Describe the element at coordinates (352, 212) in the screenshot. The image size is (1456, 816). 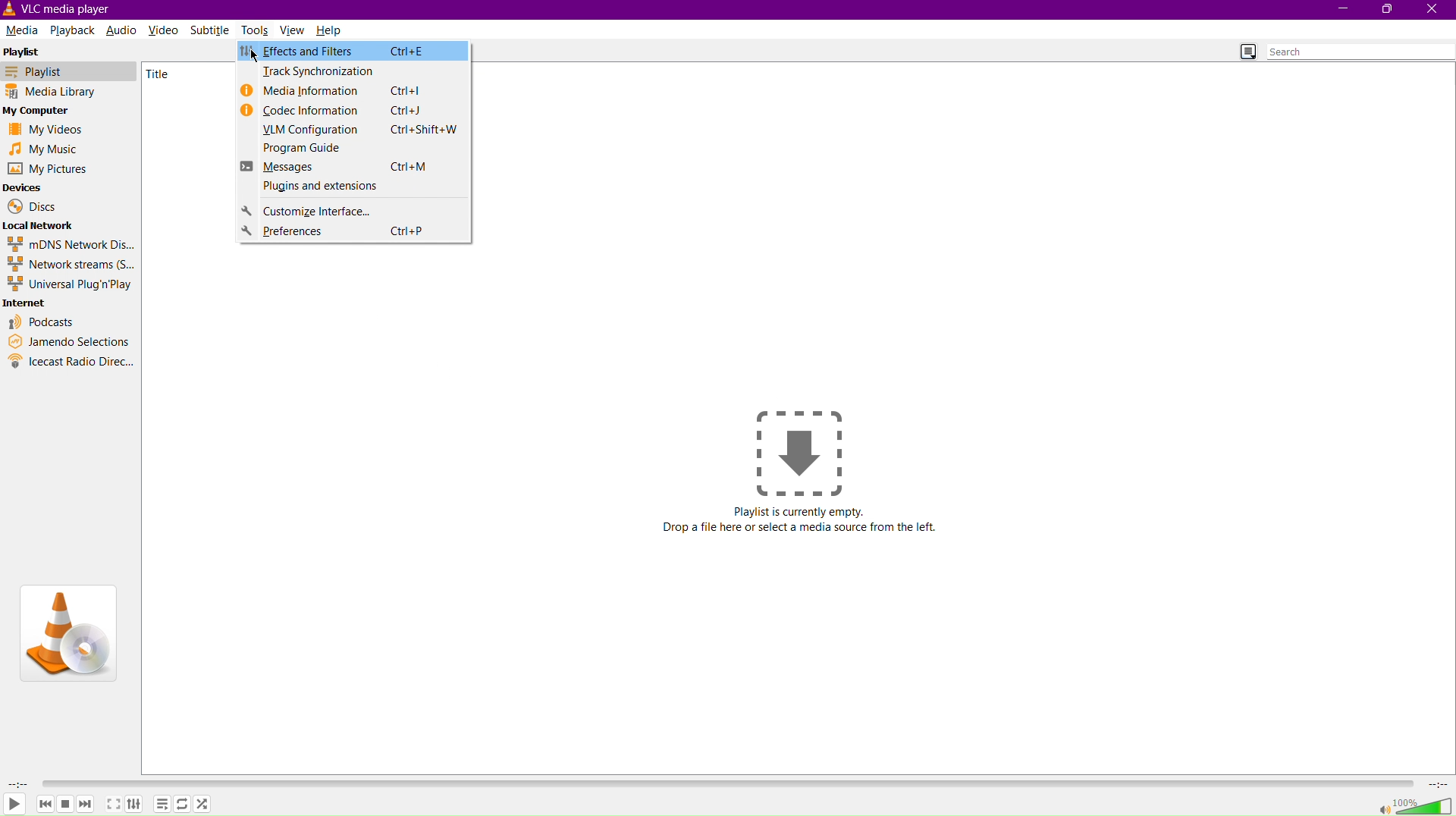
I see `Customize Interface` at that location.